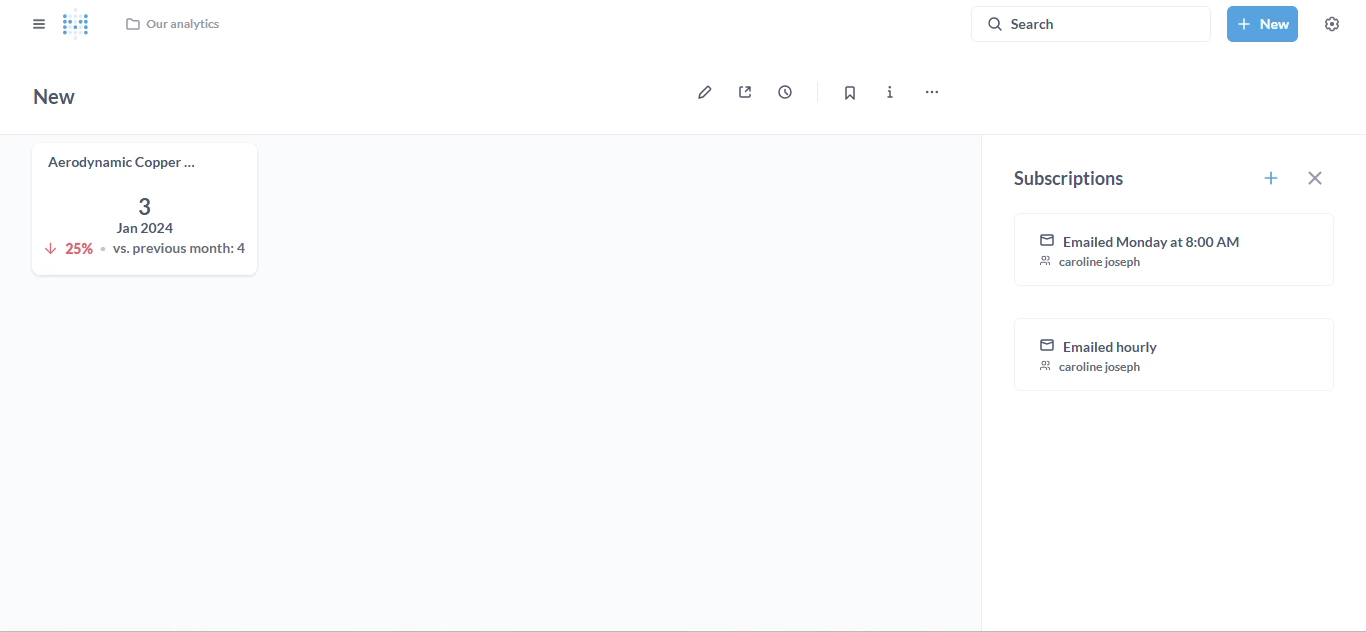 The image size is (1366, 632). I want to click on set up a new schedule, so click(1270, 177).